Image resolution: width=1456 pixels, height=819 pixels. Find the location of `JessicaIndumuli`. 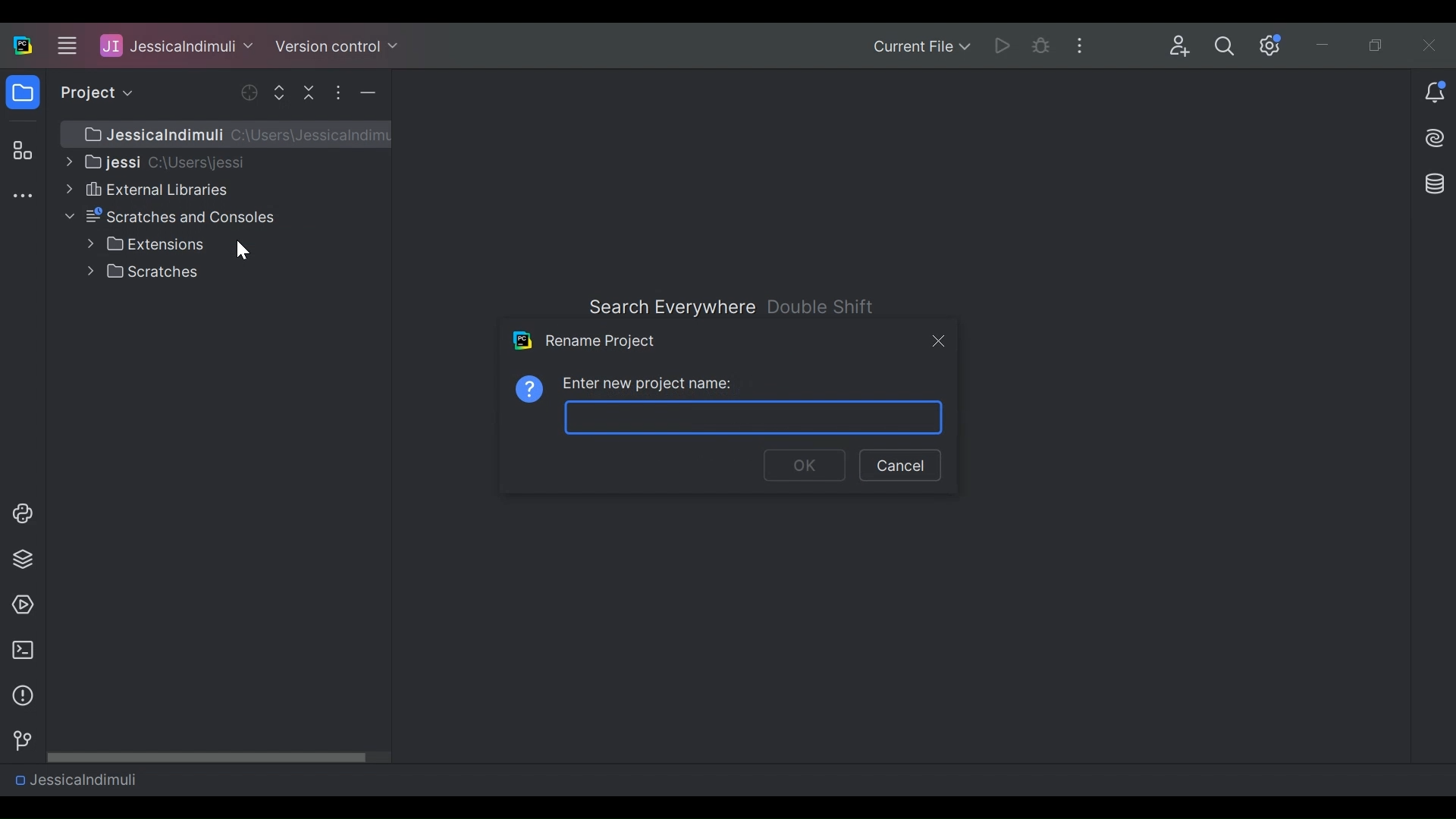

JessicaIndumuli is located at coordinates (232, 134).